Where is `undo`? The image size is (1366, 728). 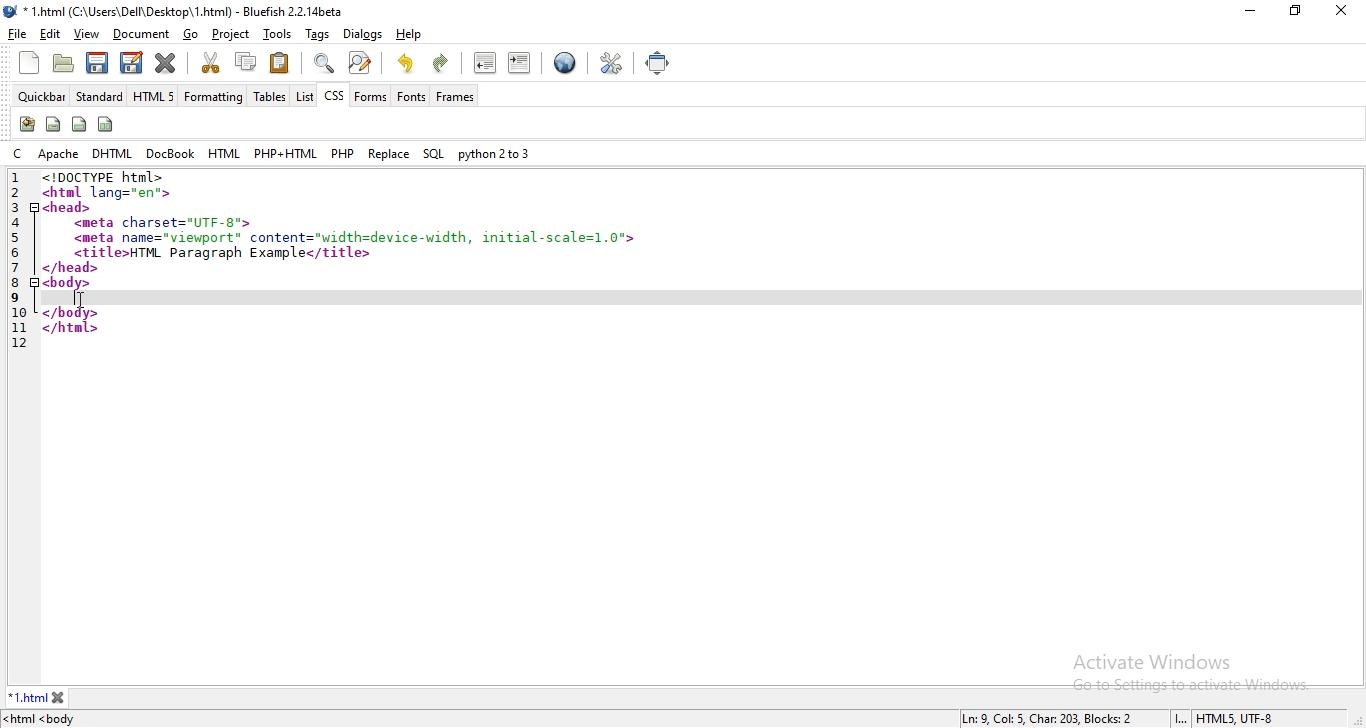
undo is located at coordinates (405, 61).